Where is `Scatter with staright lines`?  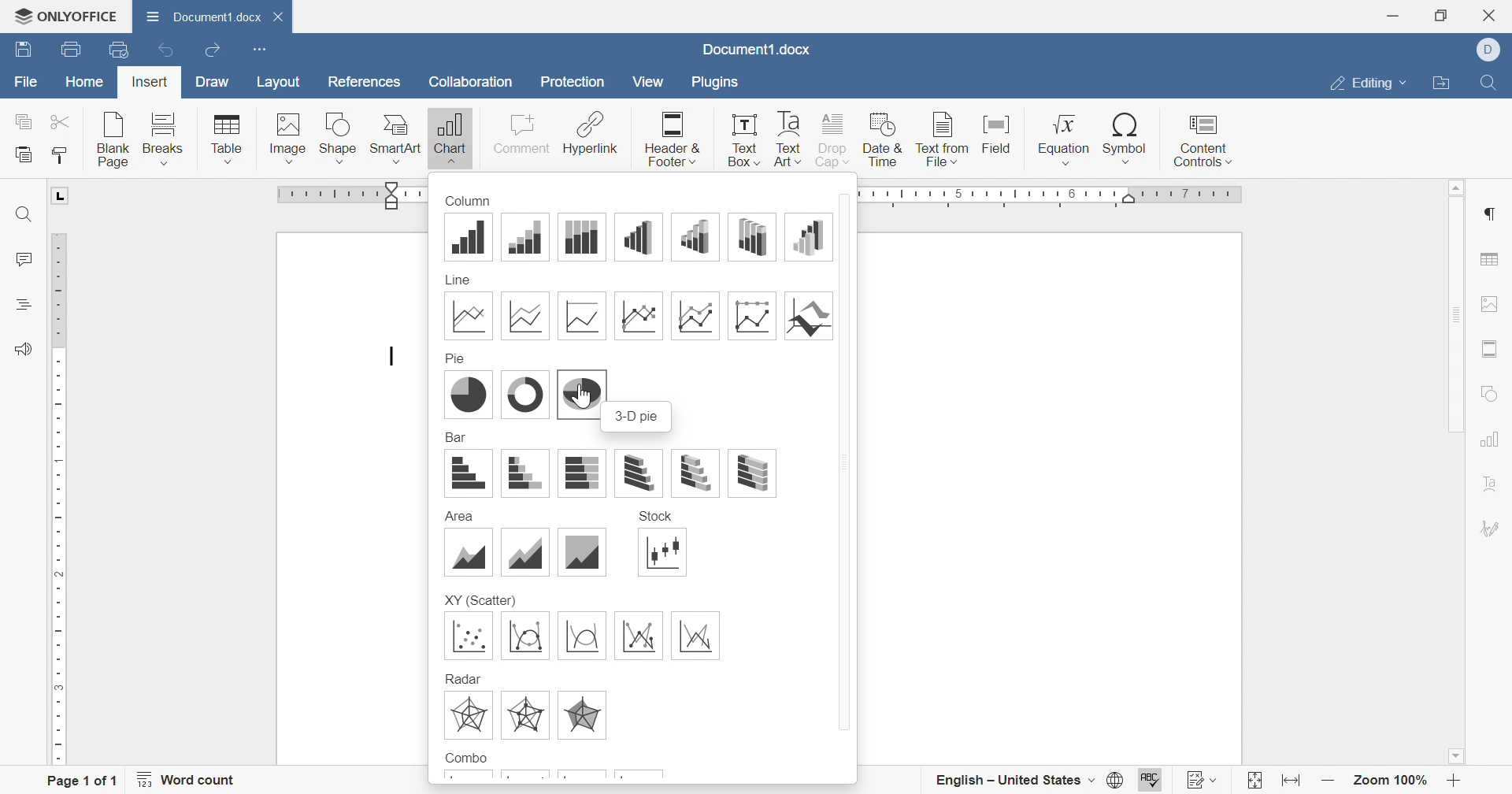
Scatter with staright lines is located at coordinates (697, 636).